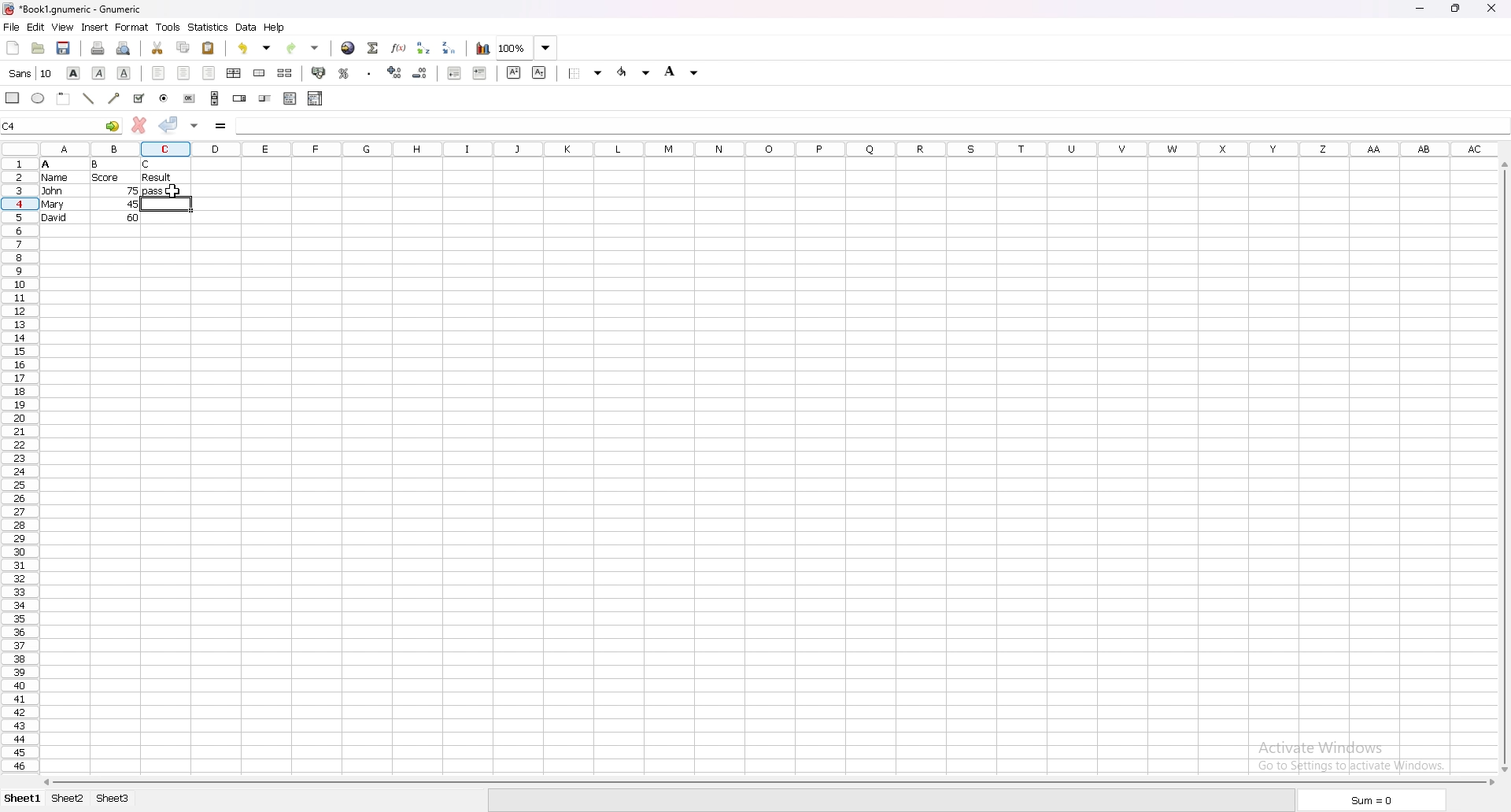 This screenshot has width=1511, height=812. What do you see at coordinates (421, 73) in the screenshot?
I see `decrease decimals` at bounding box center [421, 73].